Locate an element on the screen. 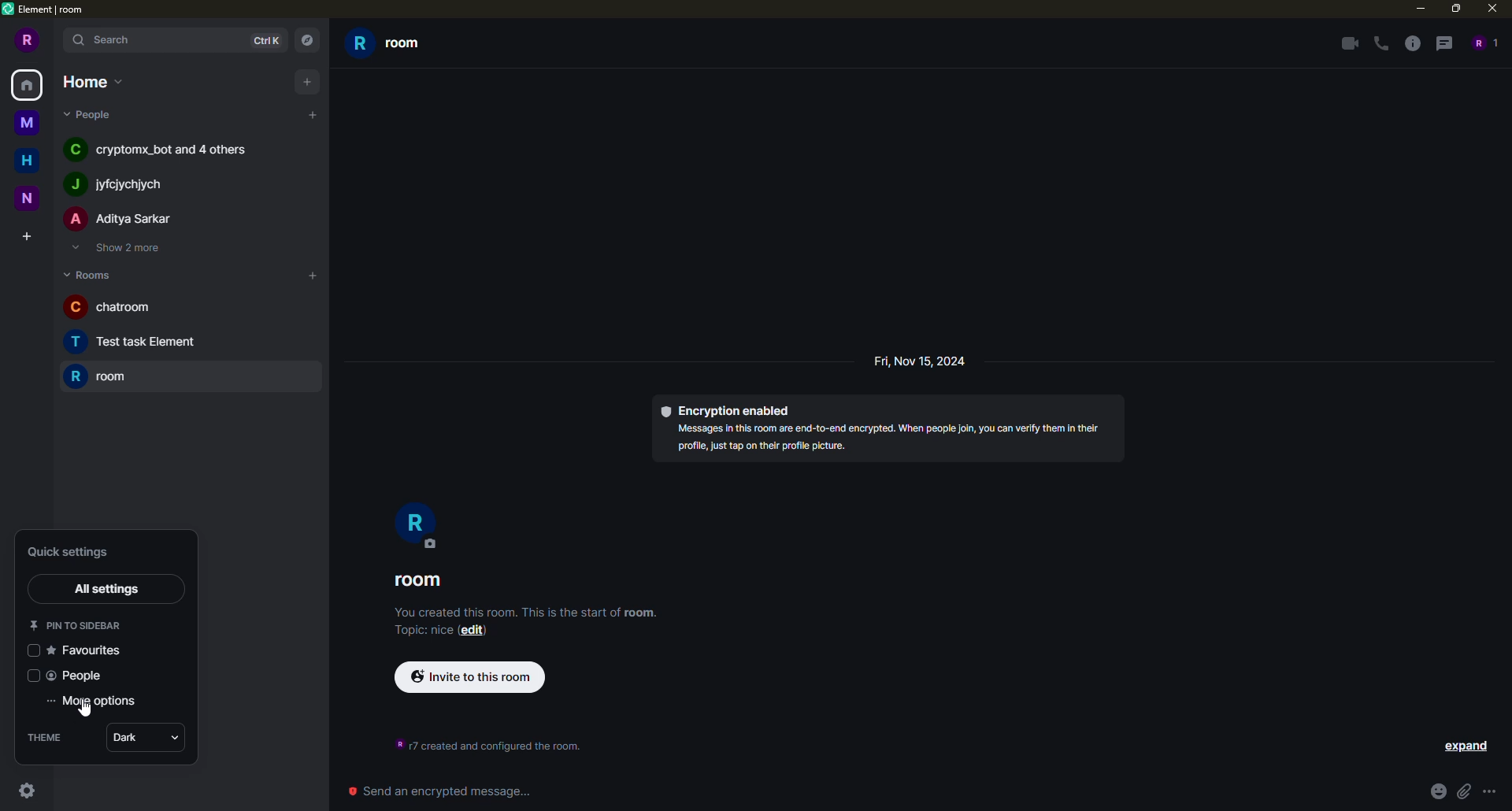 The width and height of the screenshot is (1512, 811). encryption enabled is located at coordinates (729, 409).